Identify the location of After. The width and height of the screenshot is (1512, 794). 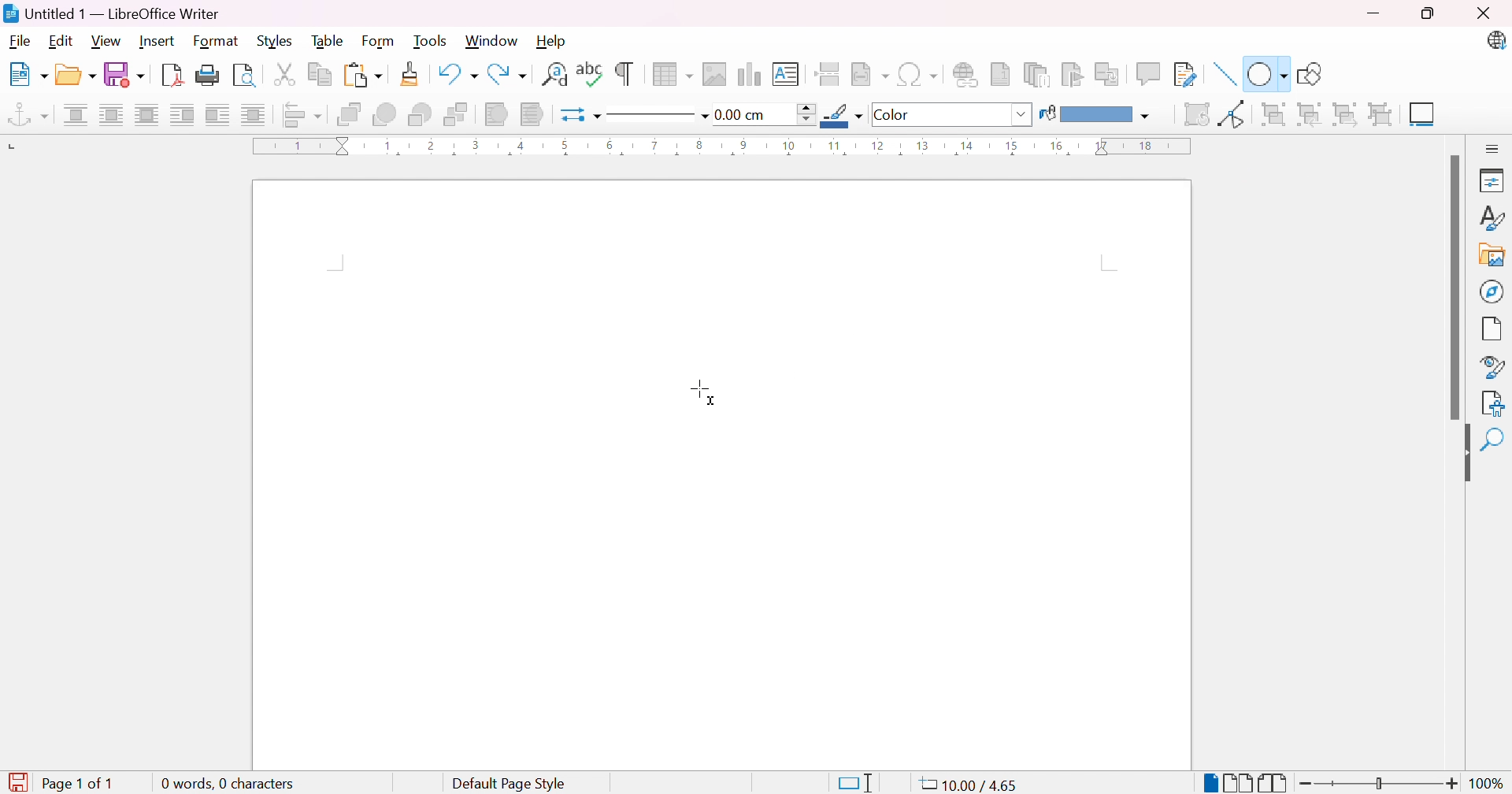
(217, 113).